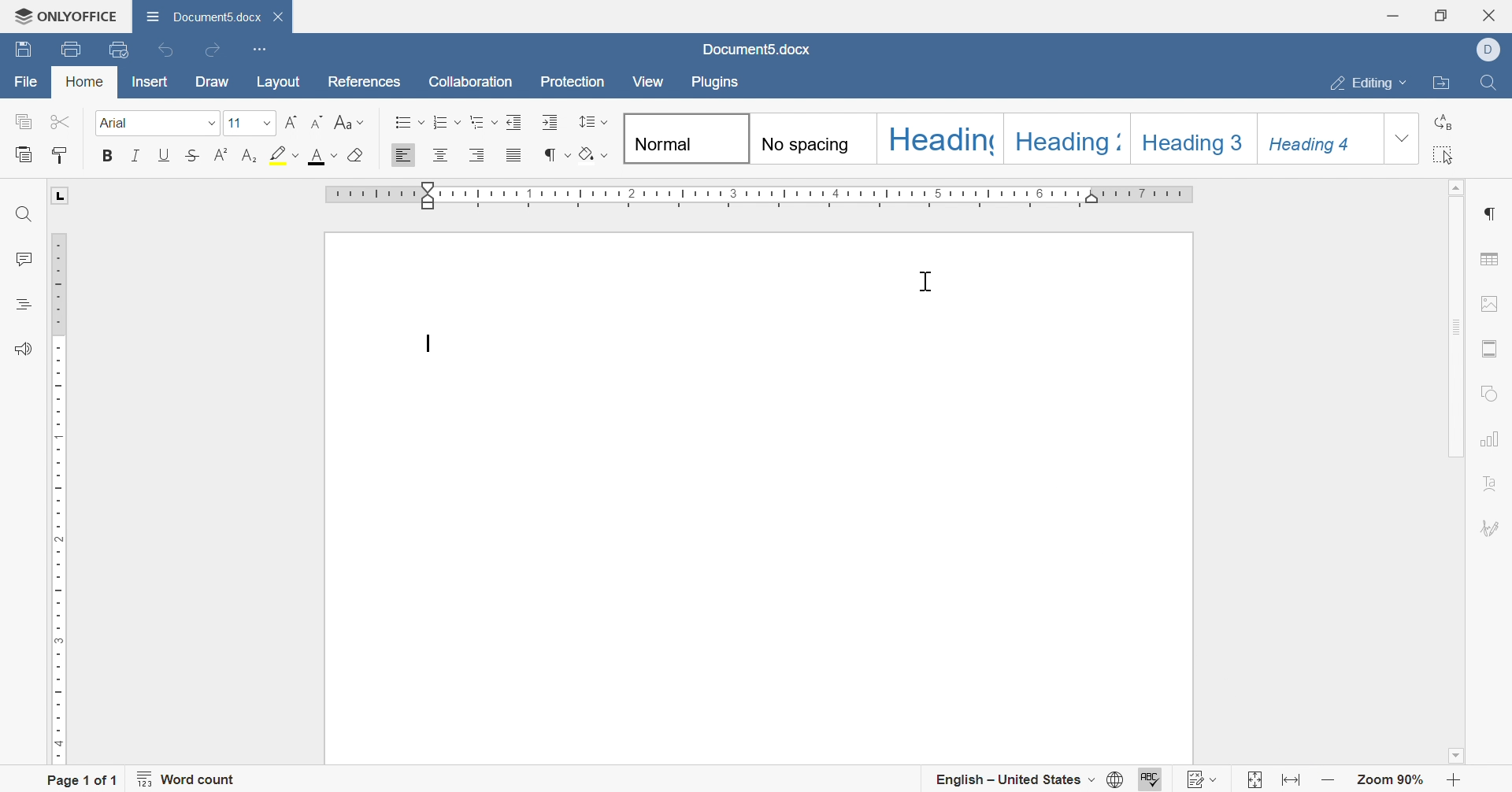 The height and width of the screenshot is (792, 1512). I want to click on layout, so click(279, 81).